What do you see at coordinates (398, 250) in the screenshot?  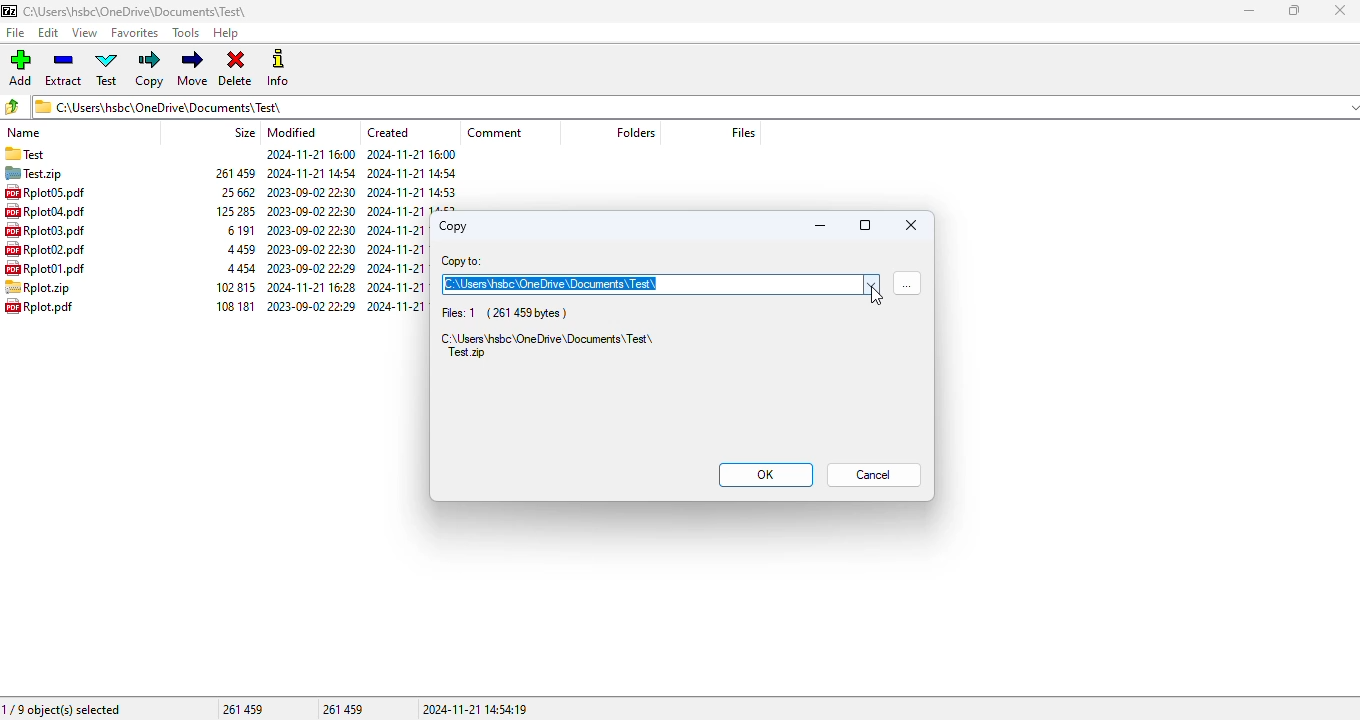 I see `created date & time` at bounding box center [398, 250].